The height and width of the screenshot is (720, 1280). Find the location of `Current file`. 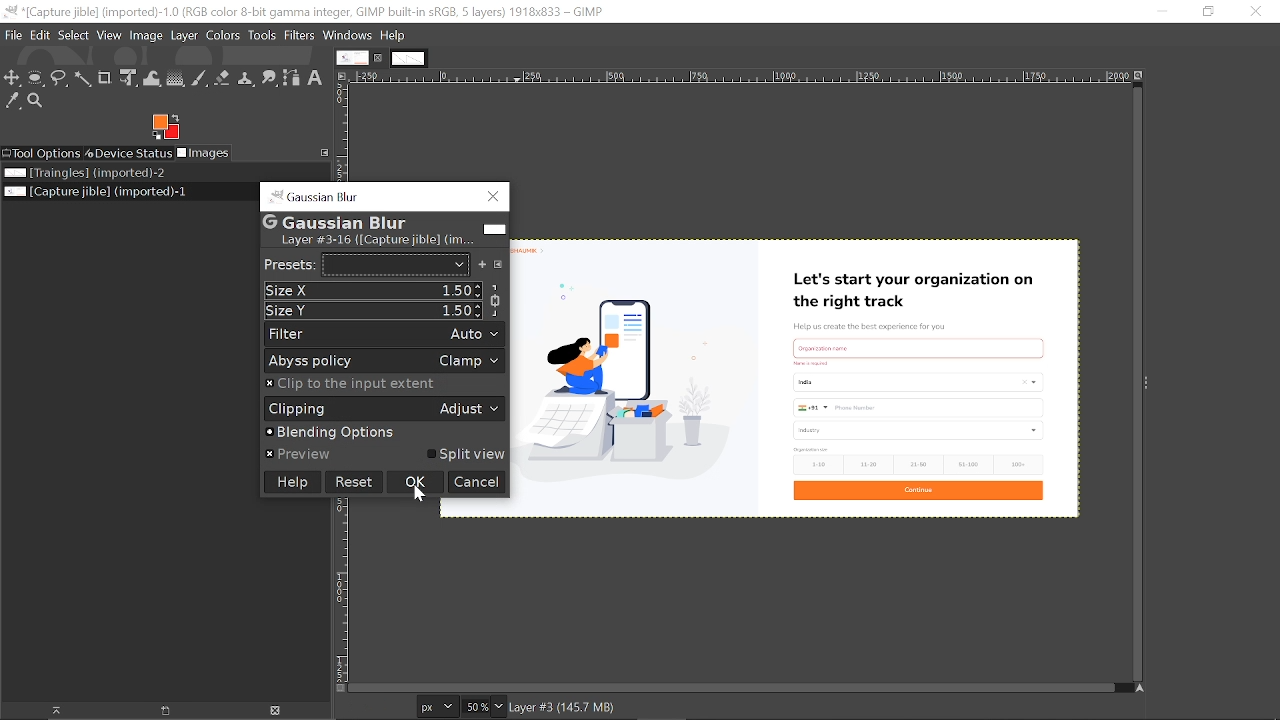

Current file is located at coordinates (94, 191).